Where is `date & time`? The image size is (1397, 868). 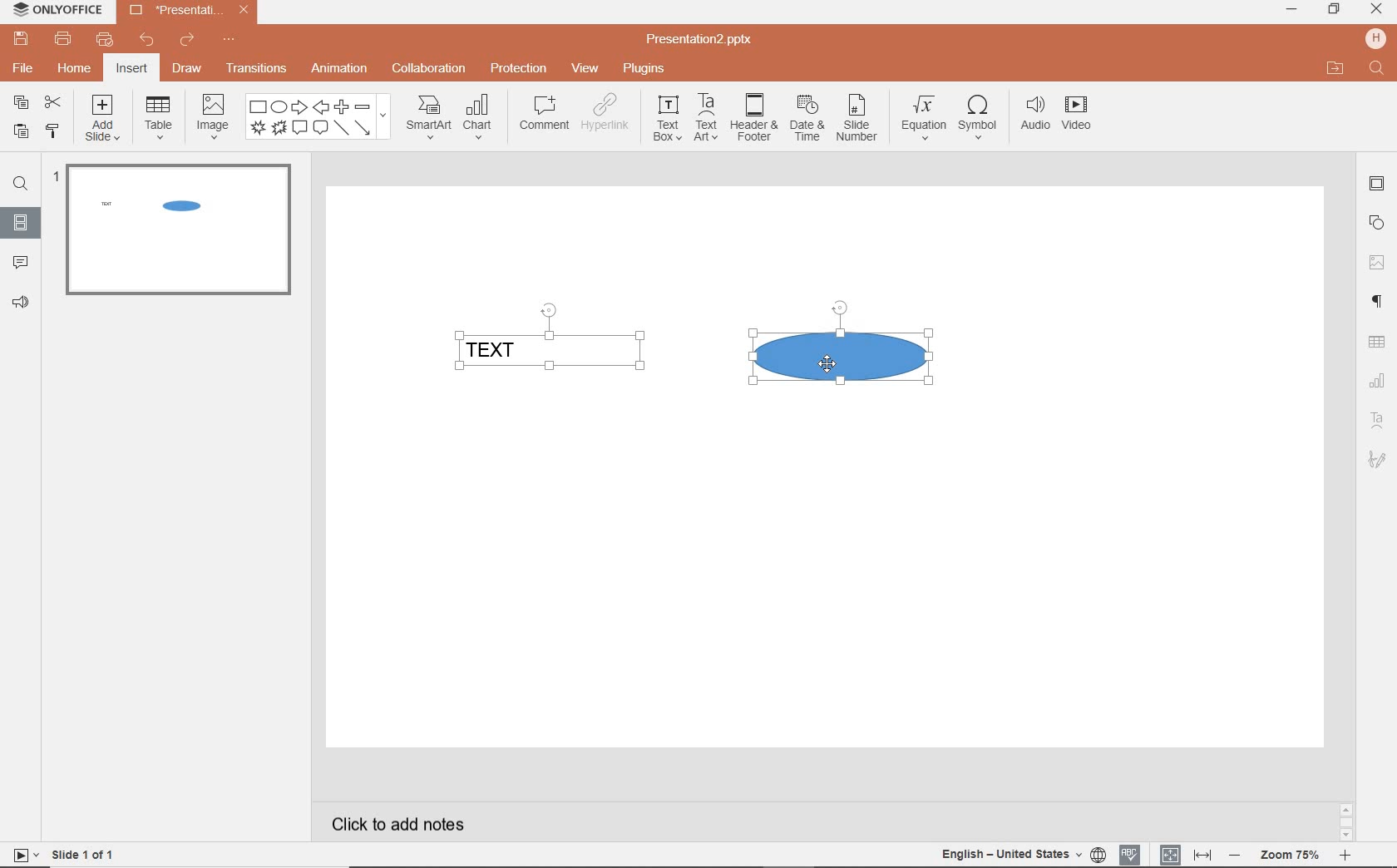
date & time is located at coordinates (805, 122).